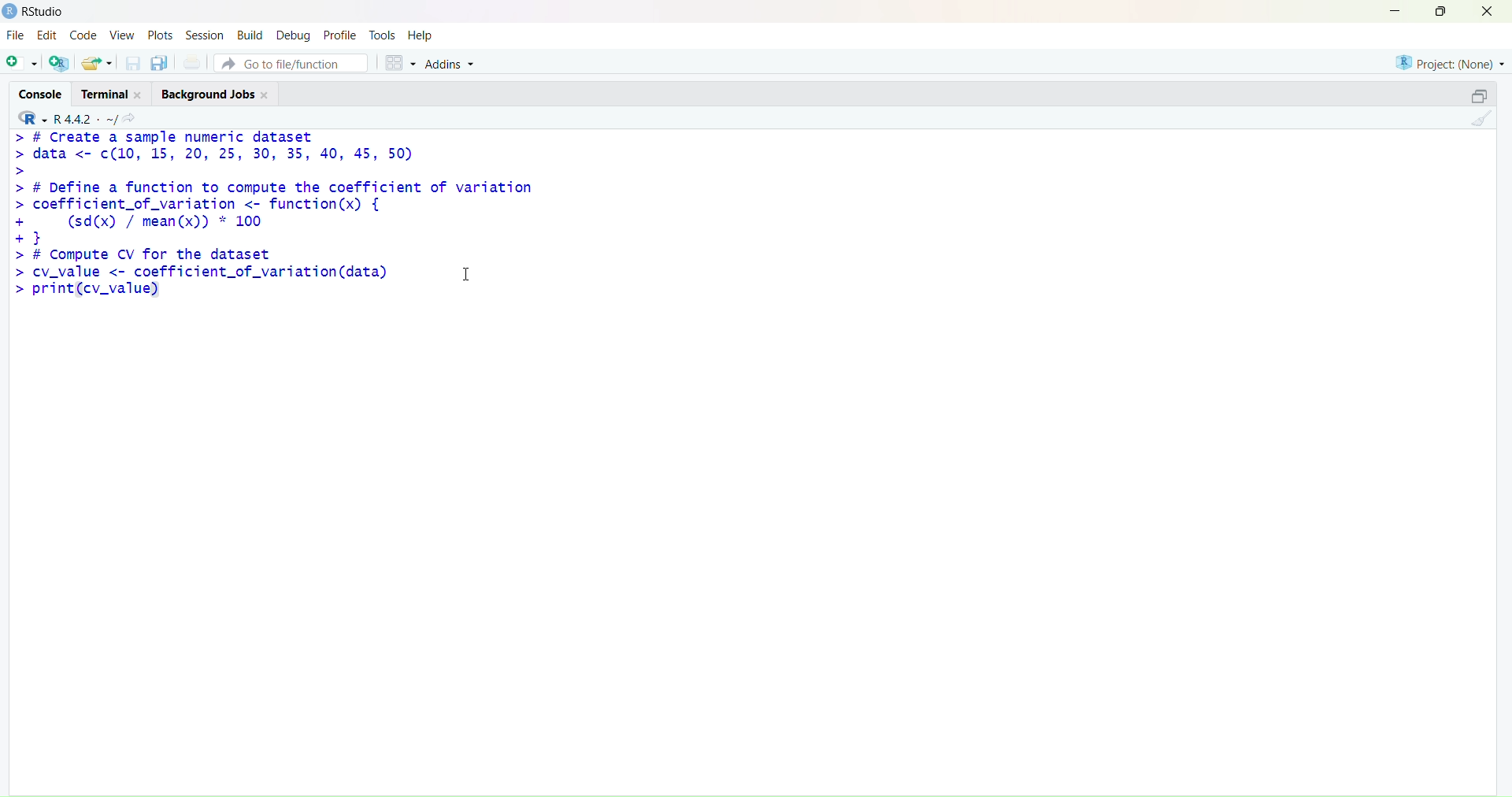  I want to click on add file as, so click(22, 64).